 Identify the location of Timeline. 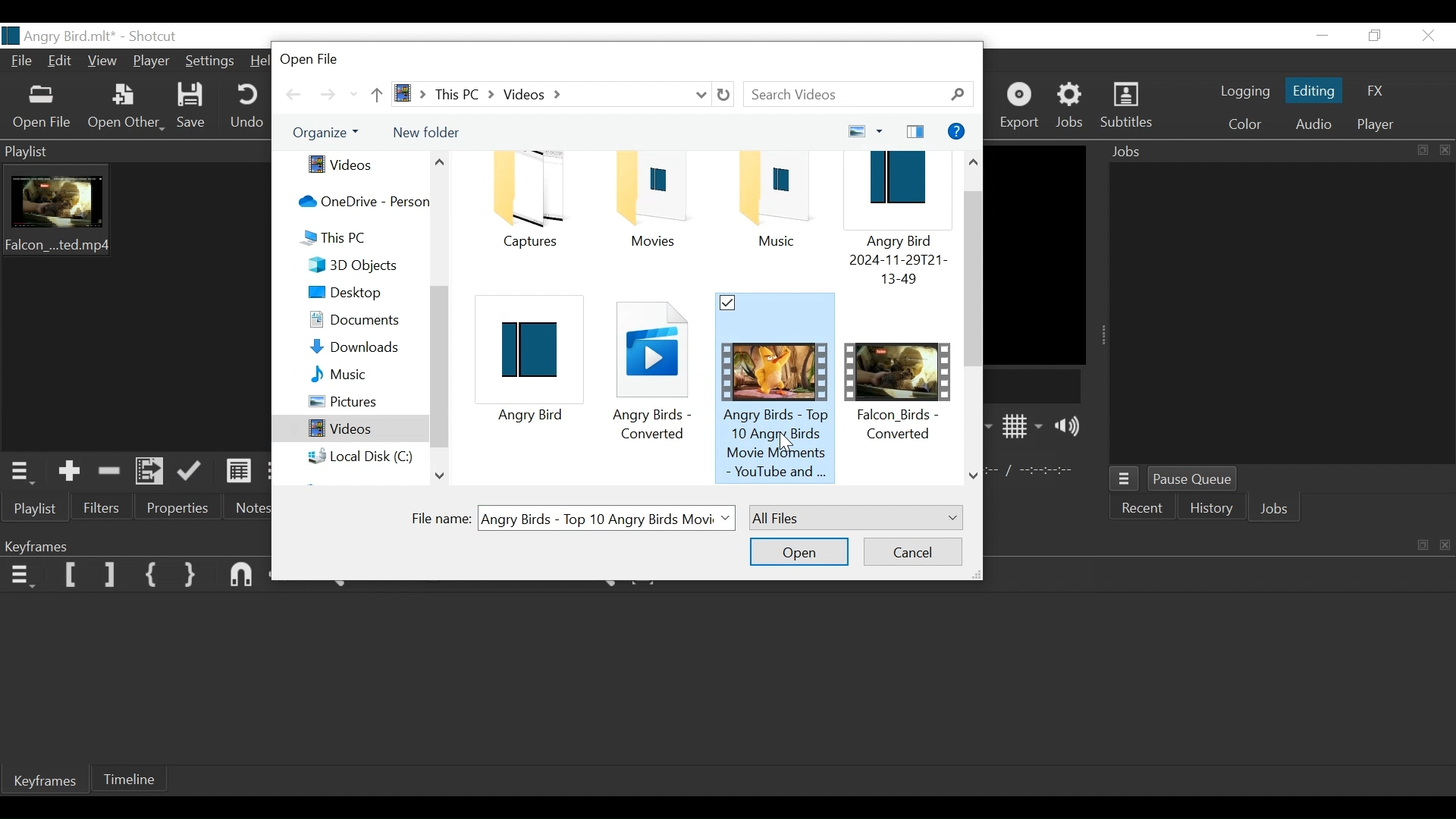
(130, 779).